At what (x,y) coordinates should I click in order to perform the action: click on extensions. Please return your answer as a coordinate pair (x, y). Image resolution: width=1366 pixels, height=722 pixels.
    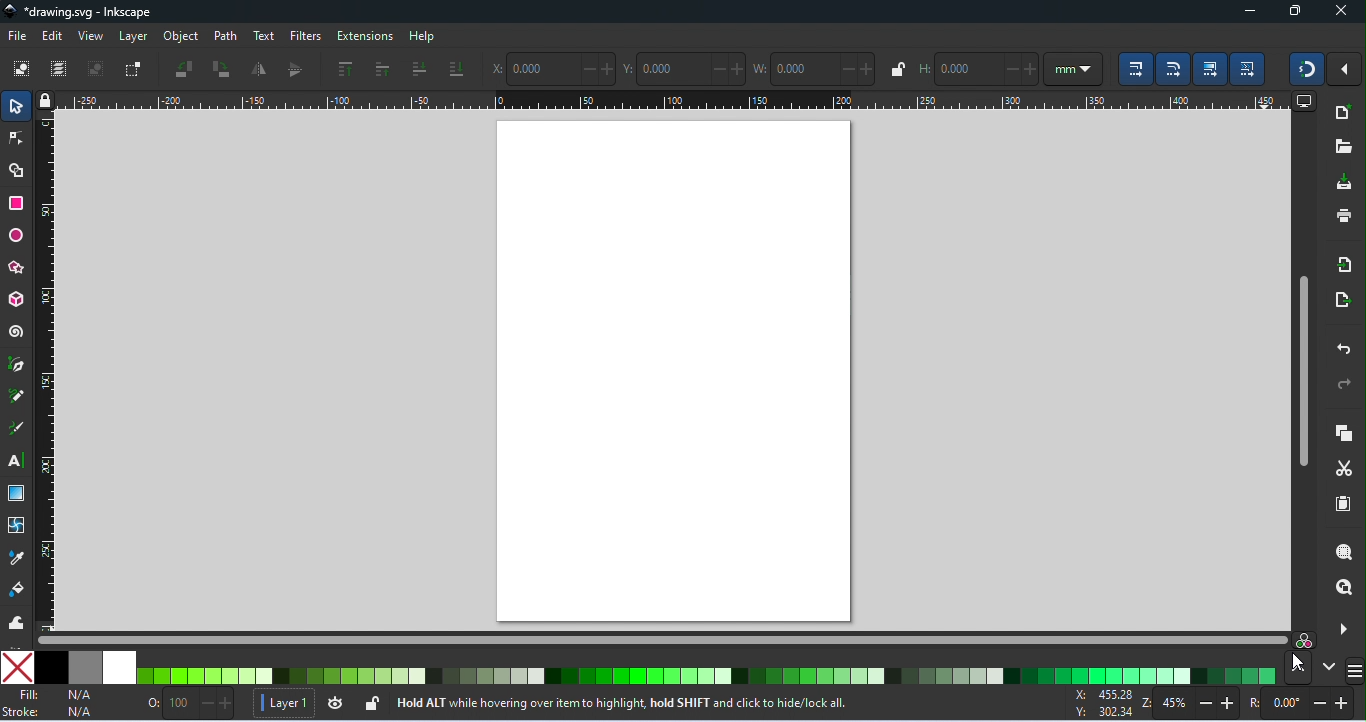
    Looking at the image, I should click on (364, 36).